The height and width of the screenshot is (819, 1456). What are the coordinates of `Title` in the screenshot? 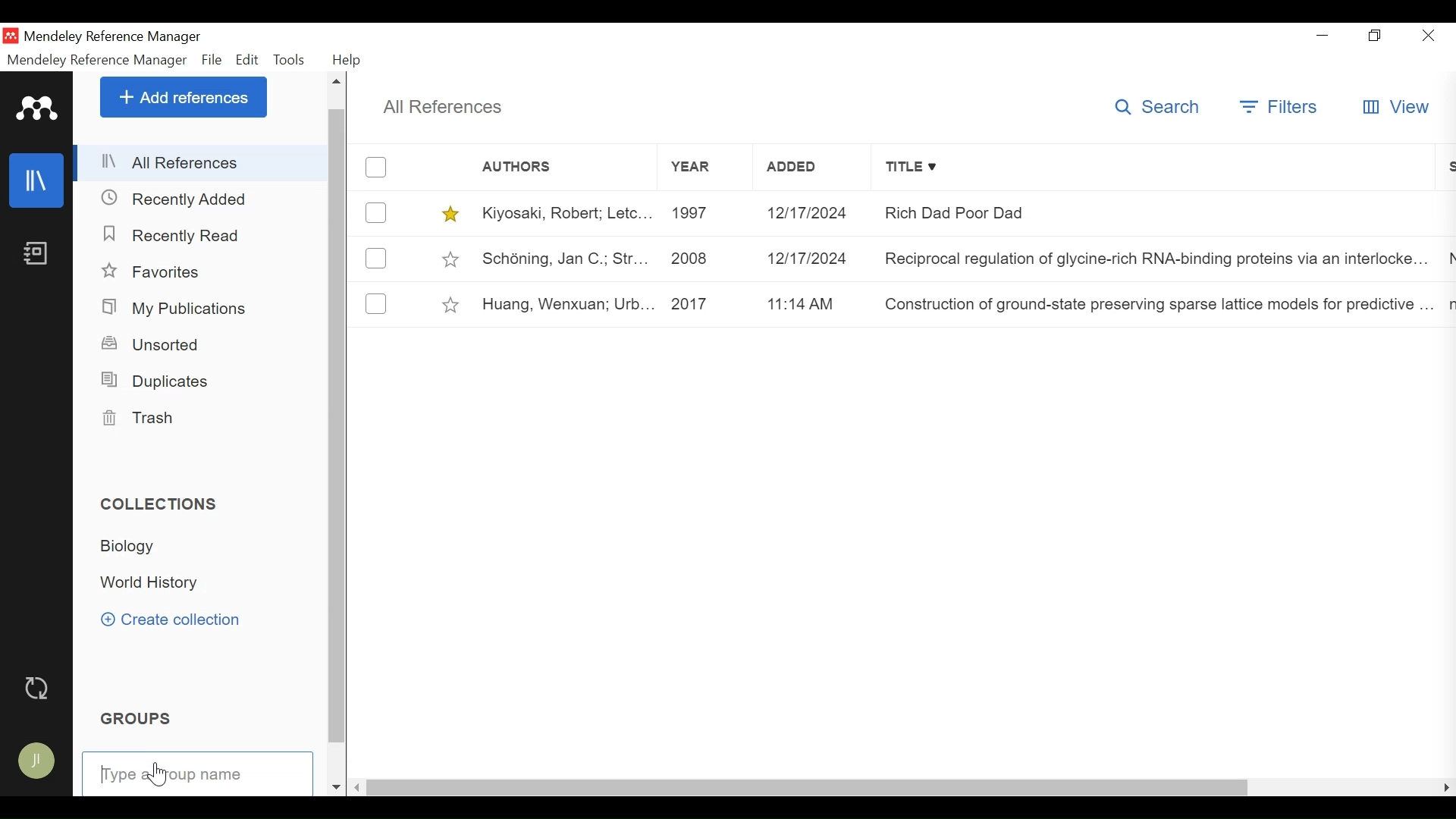 It's located at (1156, 168).